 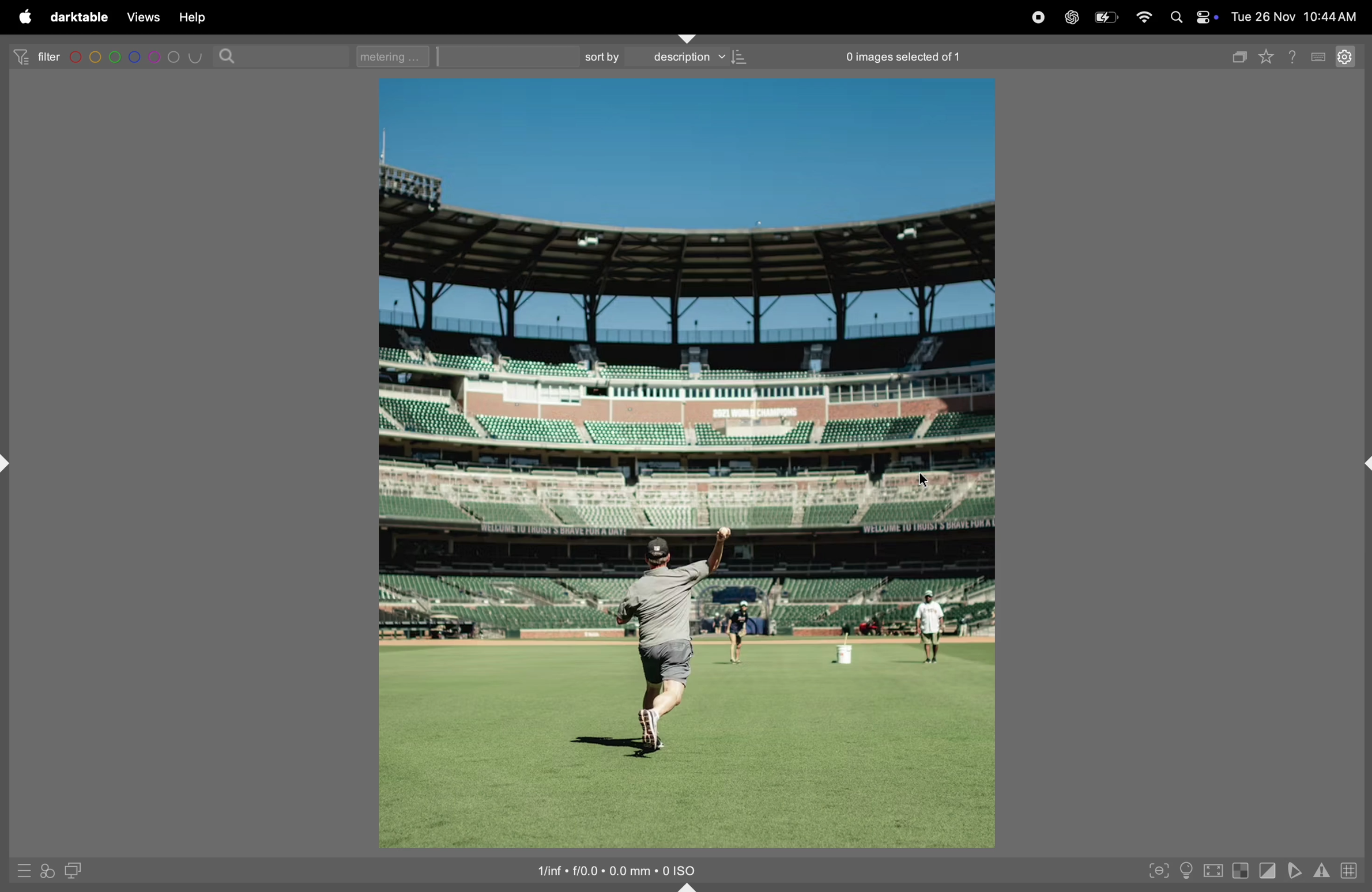 What do you see at coordinates (22, 872) in the screenshot?
I see `quick access to presets` at bounding box center [22, 872].